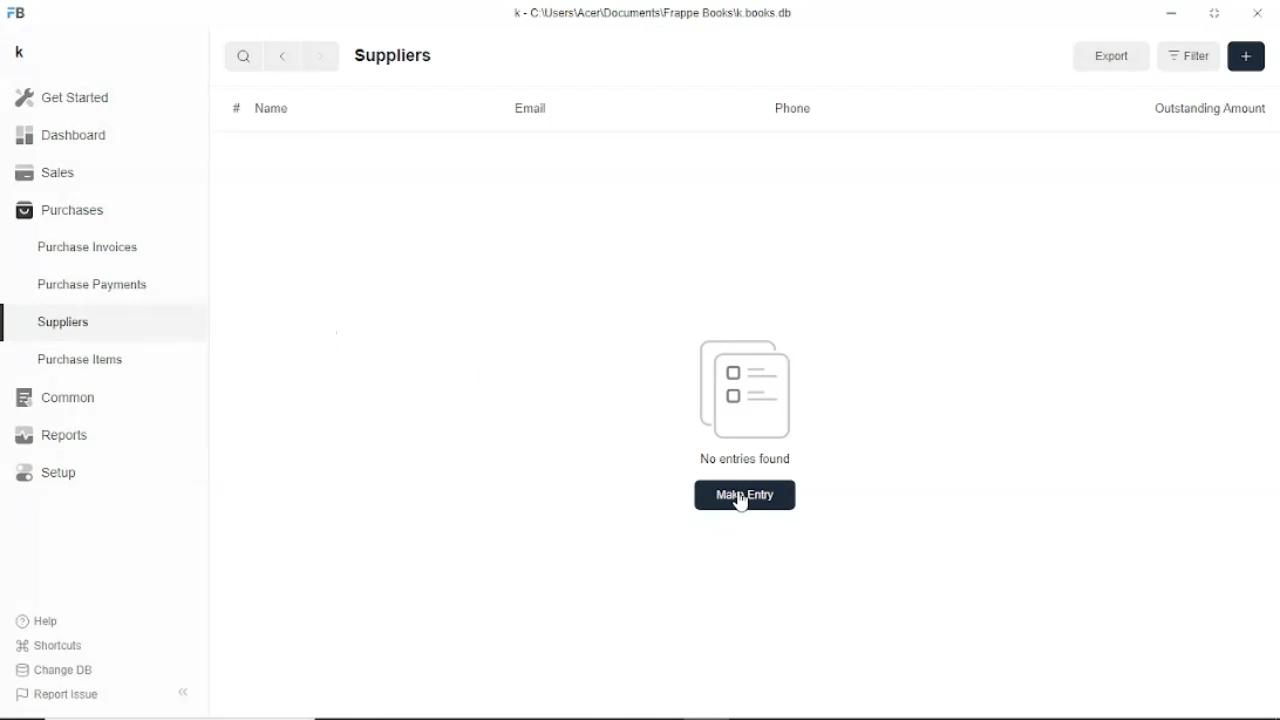 The width and height of the screenshot is (1280, 720). Describe the element at coordinates (55, 398) in the screenshot. I see `Common` at that location.